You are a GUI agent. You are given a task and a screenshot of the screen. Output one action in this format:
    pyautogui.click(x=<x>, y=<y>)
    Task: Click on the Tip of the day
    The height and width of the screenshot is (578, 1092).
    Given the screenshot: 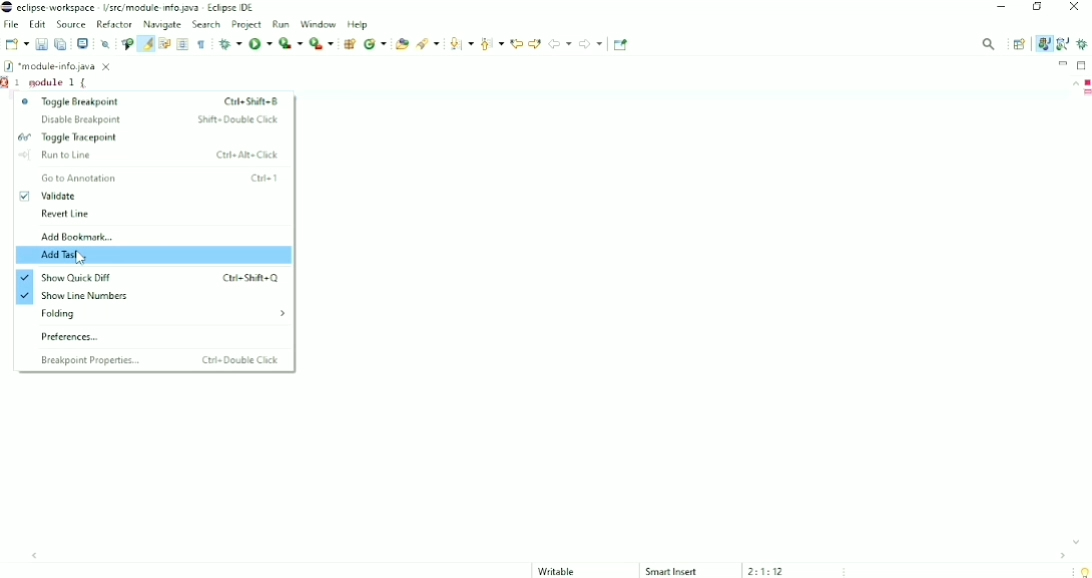 What is the action you would take?
    pyautogui.click(x=1083, y=572)
    